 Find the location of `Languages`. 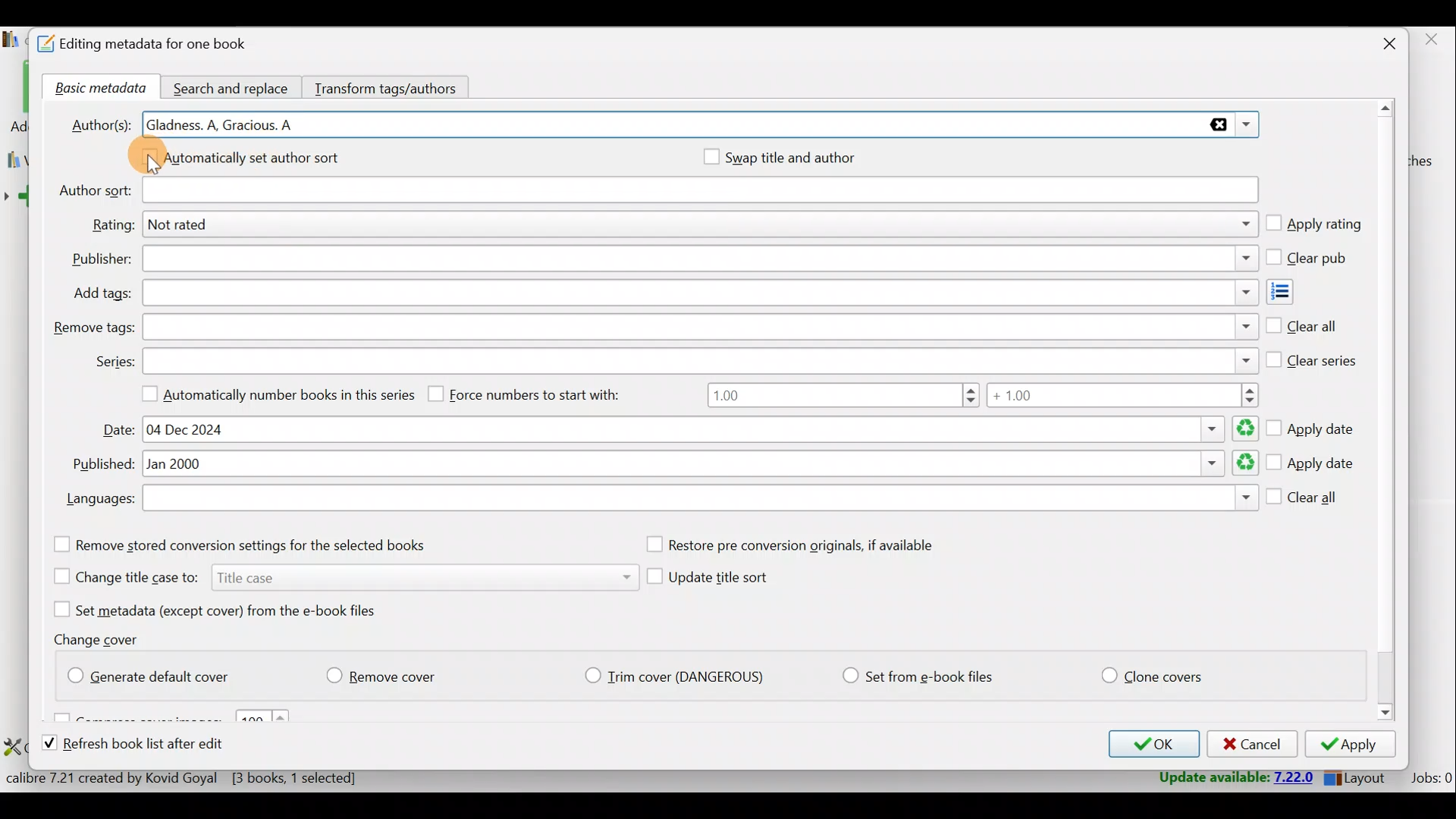

Languages is located at coordinates (700, 500).